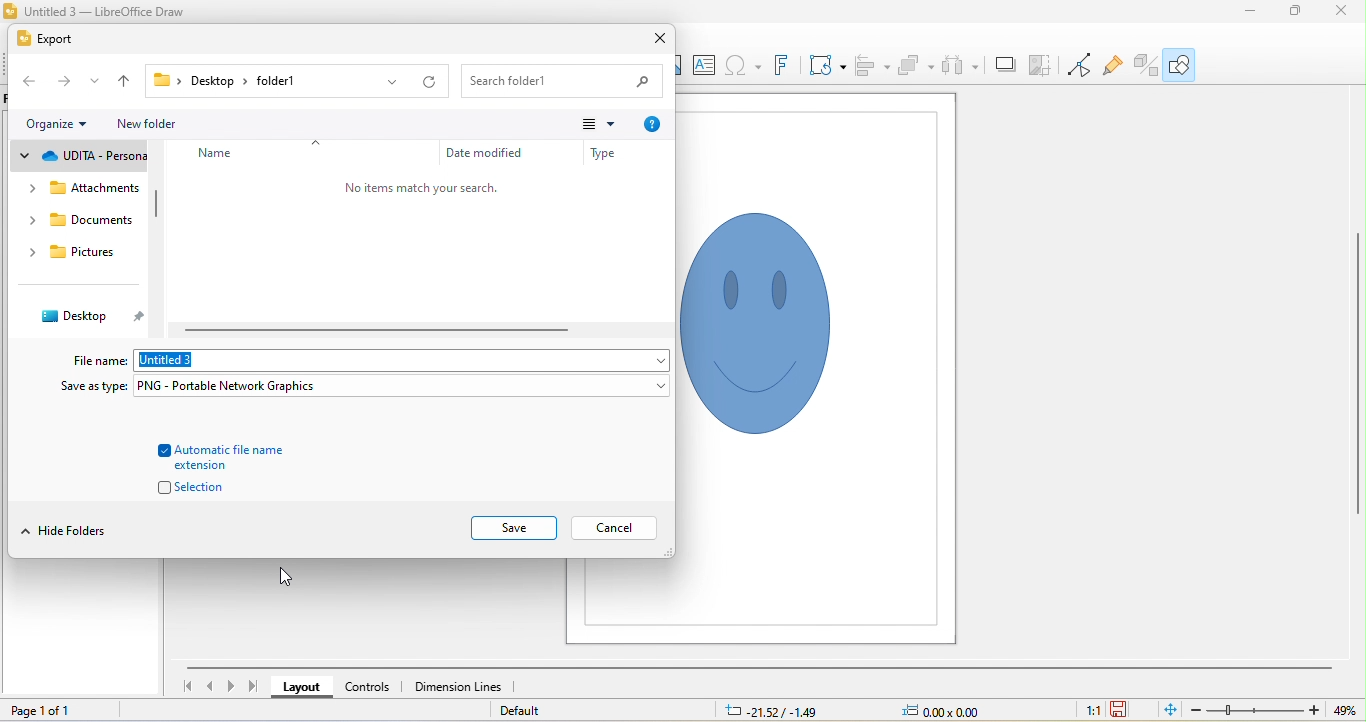 The height and width of the screenshot is (722, 1366). Describe the element at coordinates (88, 125) in the screenshot. I see `drop down` at that location.